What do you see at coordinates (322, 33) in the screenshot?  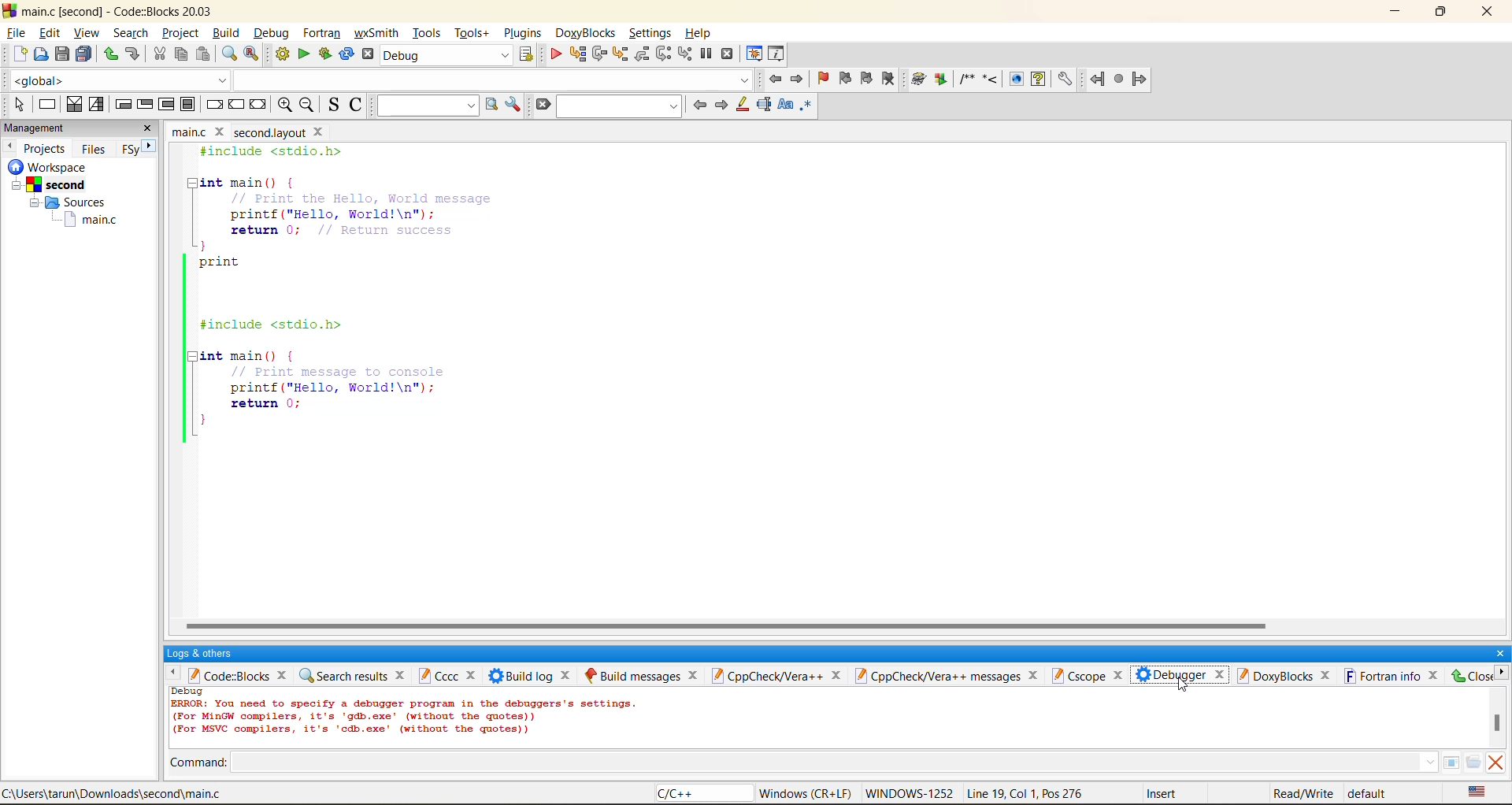 I see `fortran` at bounding box center [322, 33].